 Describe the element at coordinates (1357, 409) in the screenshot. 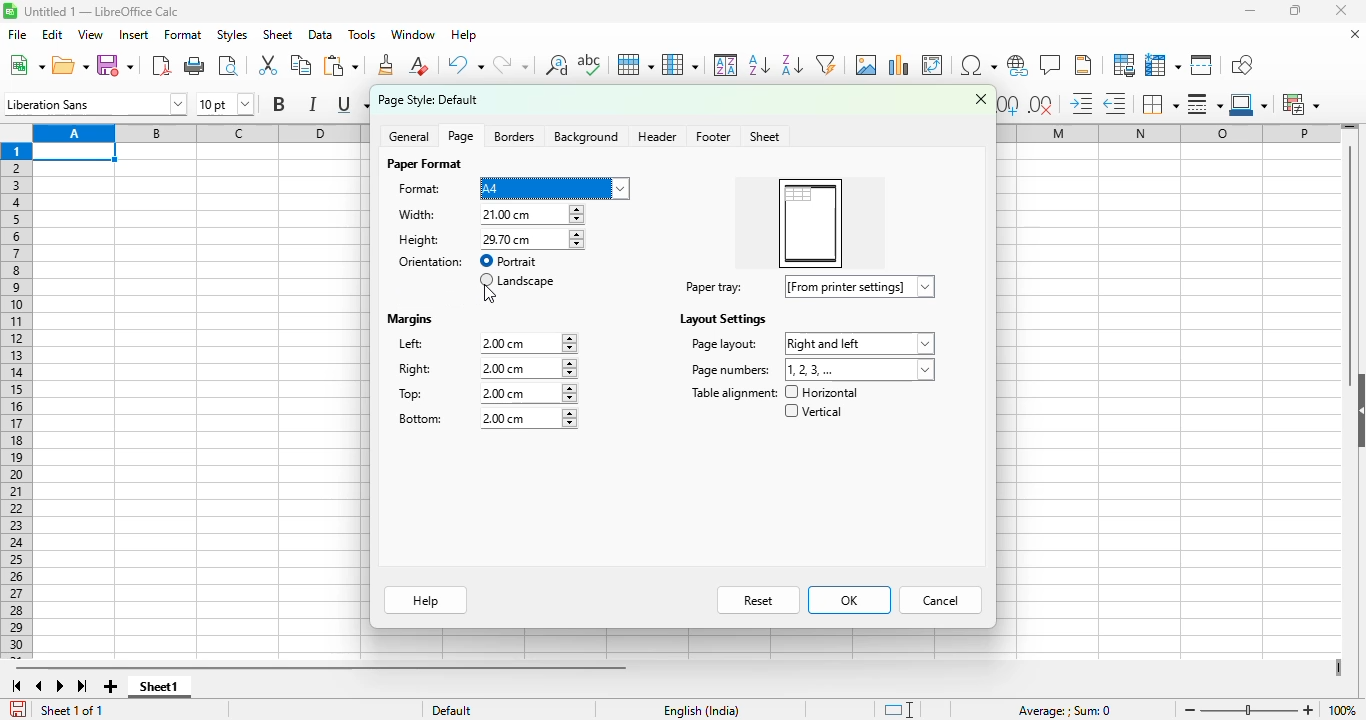

I see `show` at that location.